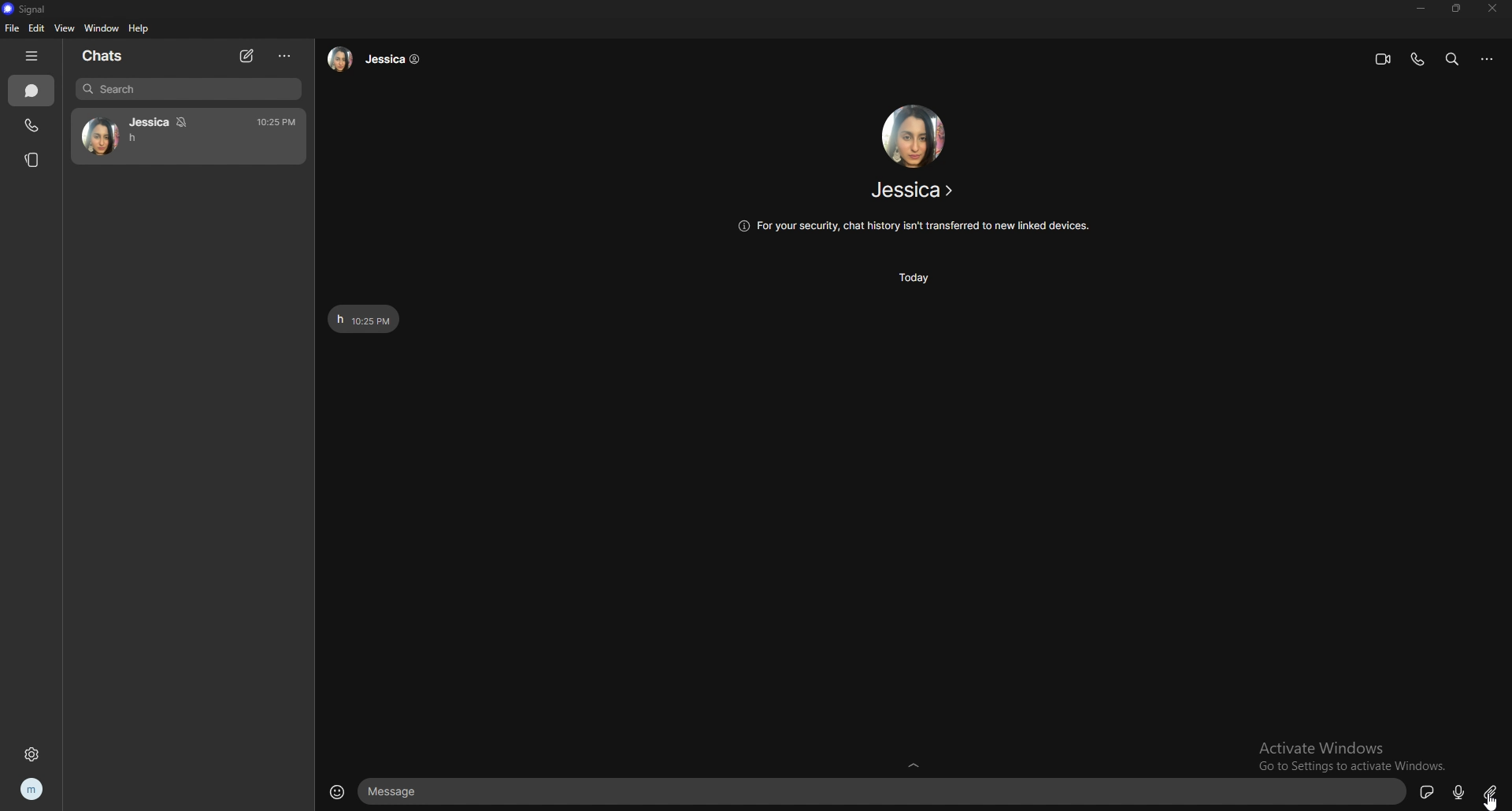 The width and height of the screenshot is (1512, 811). What do you see at coordinates (32, 160) in the screenshot?
I see `stories` at bounding box center [32, 160].